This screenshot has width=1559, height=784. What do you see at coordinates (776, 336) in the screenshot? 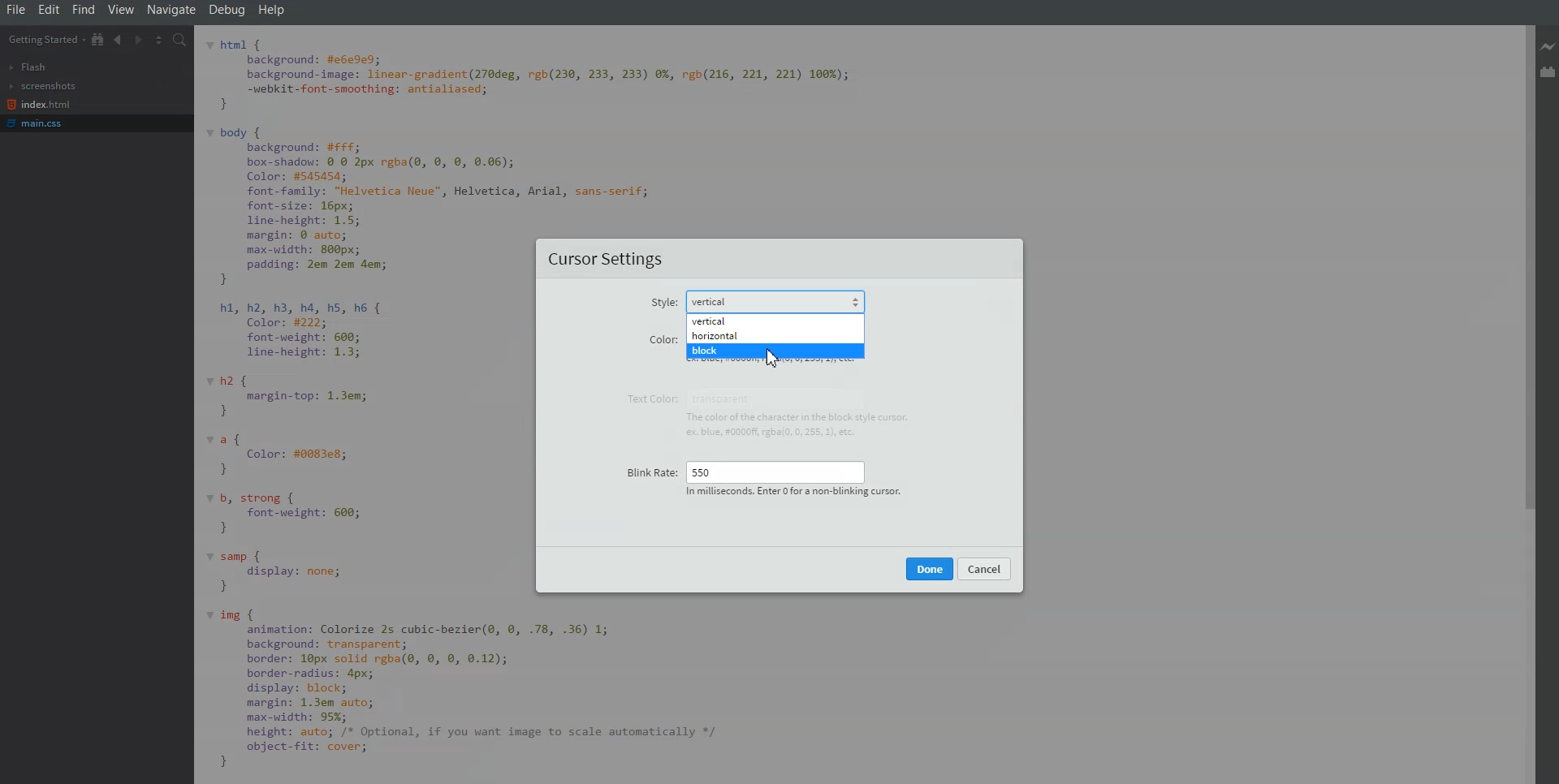
I see `horizontal` at bounding box center [776, 336].